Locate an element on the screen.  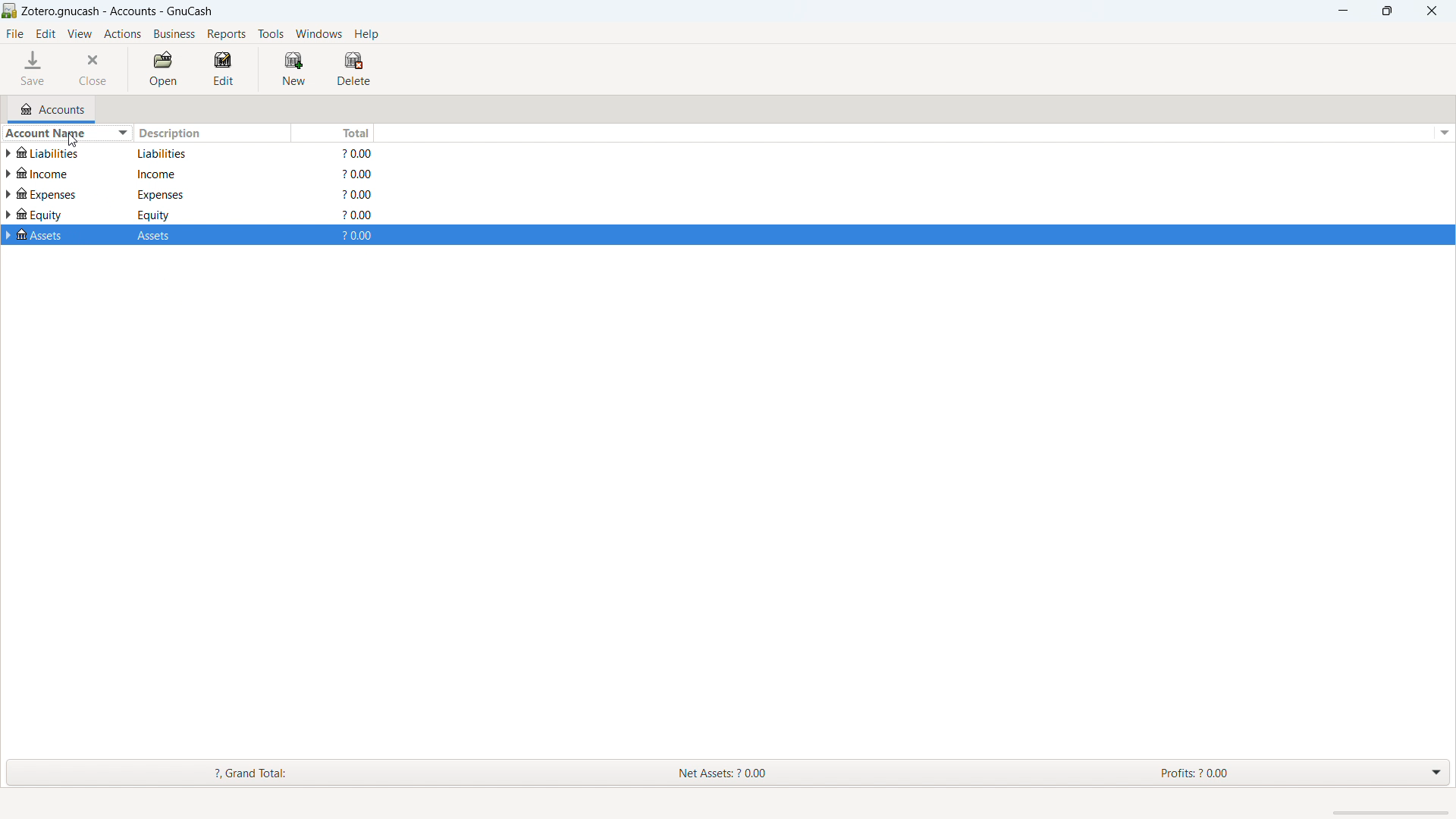
expand subaccounts is located at coordinates (9, 152).